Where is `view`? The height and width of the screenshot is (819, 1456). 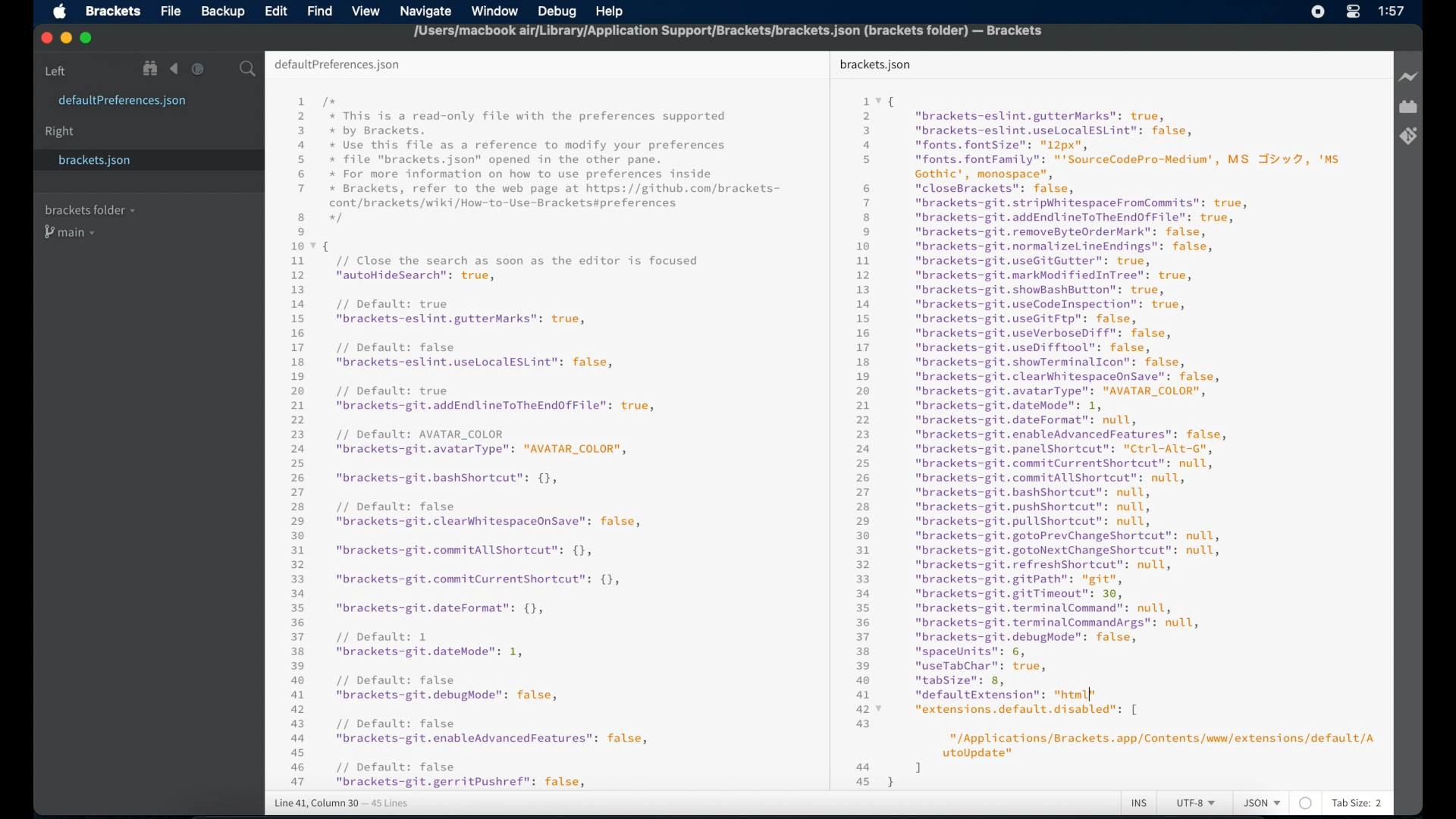
view is located at coordinates (366, 11).